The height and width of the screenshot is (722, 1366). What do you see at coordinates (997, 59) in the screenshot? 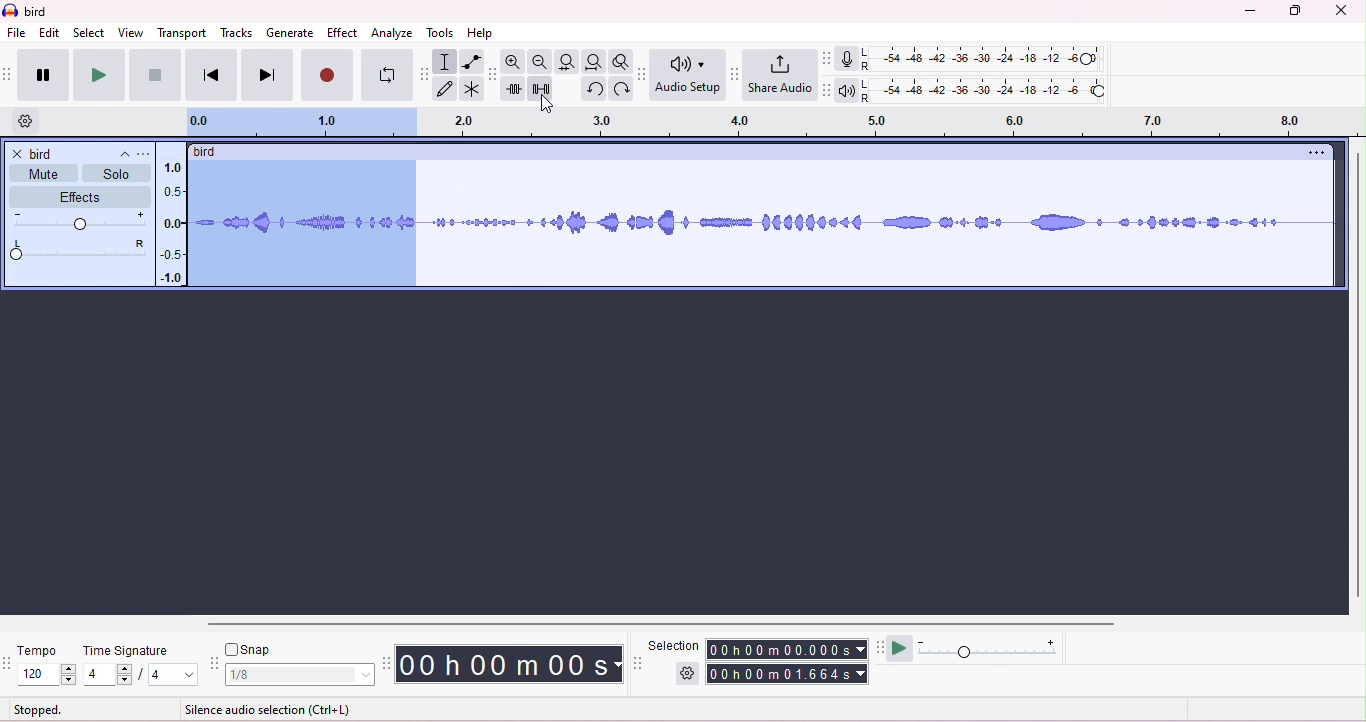
I see `recording level` at bounding box center [997, 59].